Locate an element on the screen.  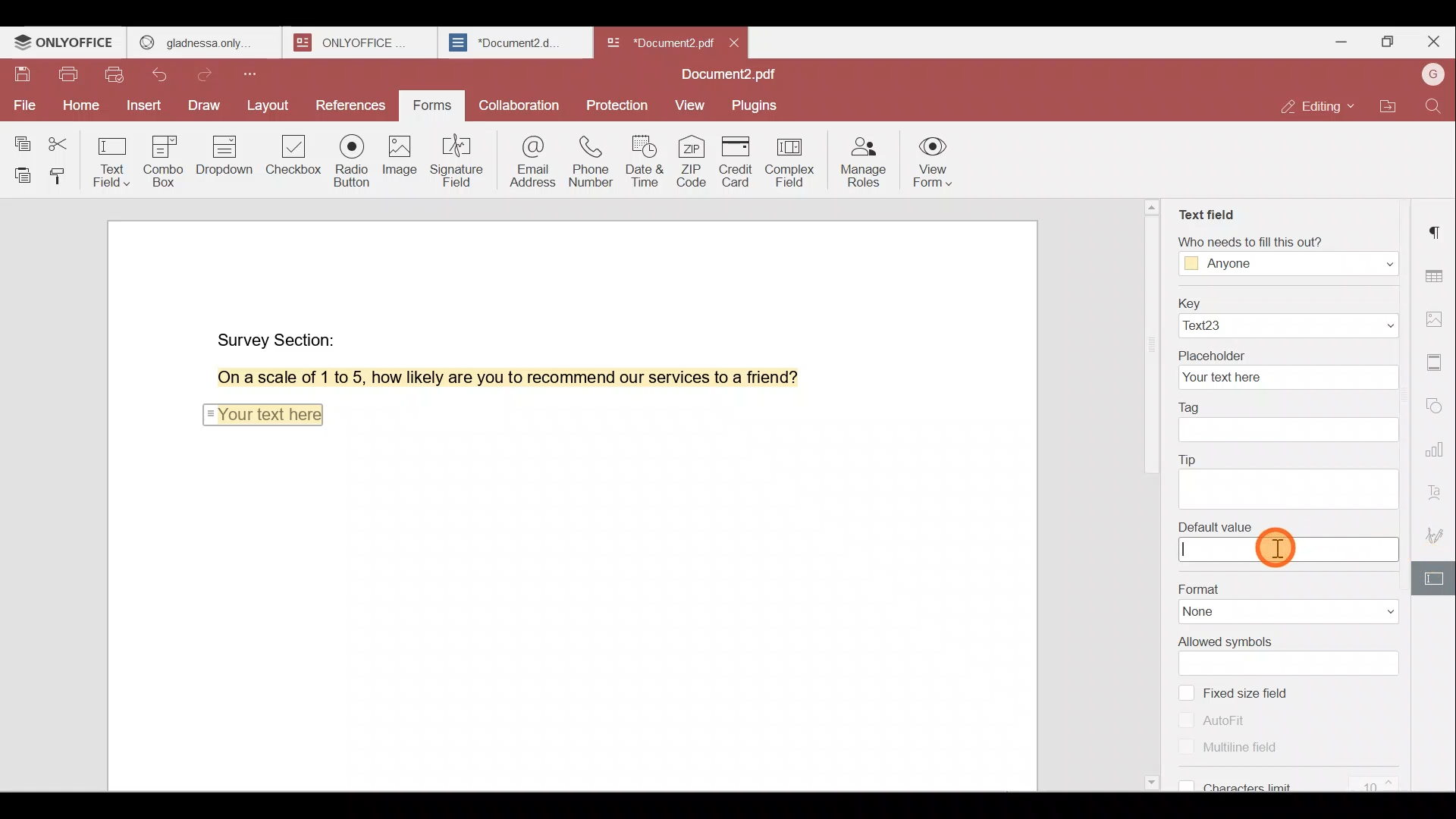
On a scale of 1 to 5, how likely are you to recommend our services to a friend? is located at coordinates (491, 378).